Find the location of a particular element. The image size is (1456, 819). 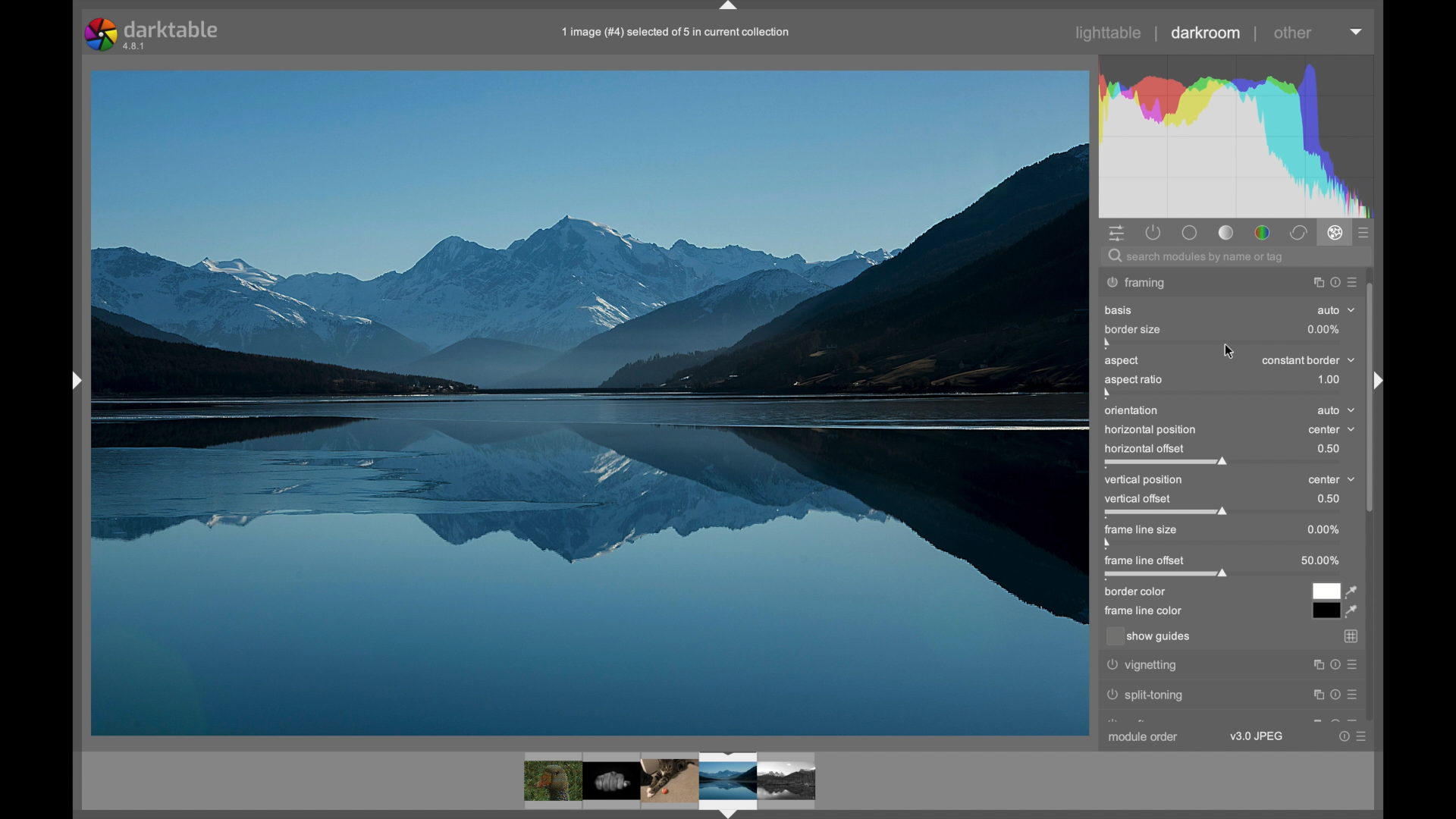

basis is located at coordinates (1119, 311).